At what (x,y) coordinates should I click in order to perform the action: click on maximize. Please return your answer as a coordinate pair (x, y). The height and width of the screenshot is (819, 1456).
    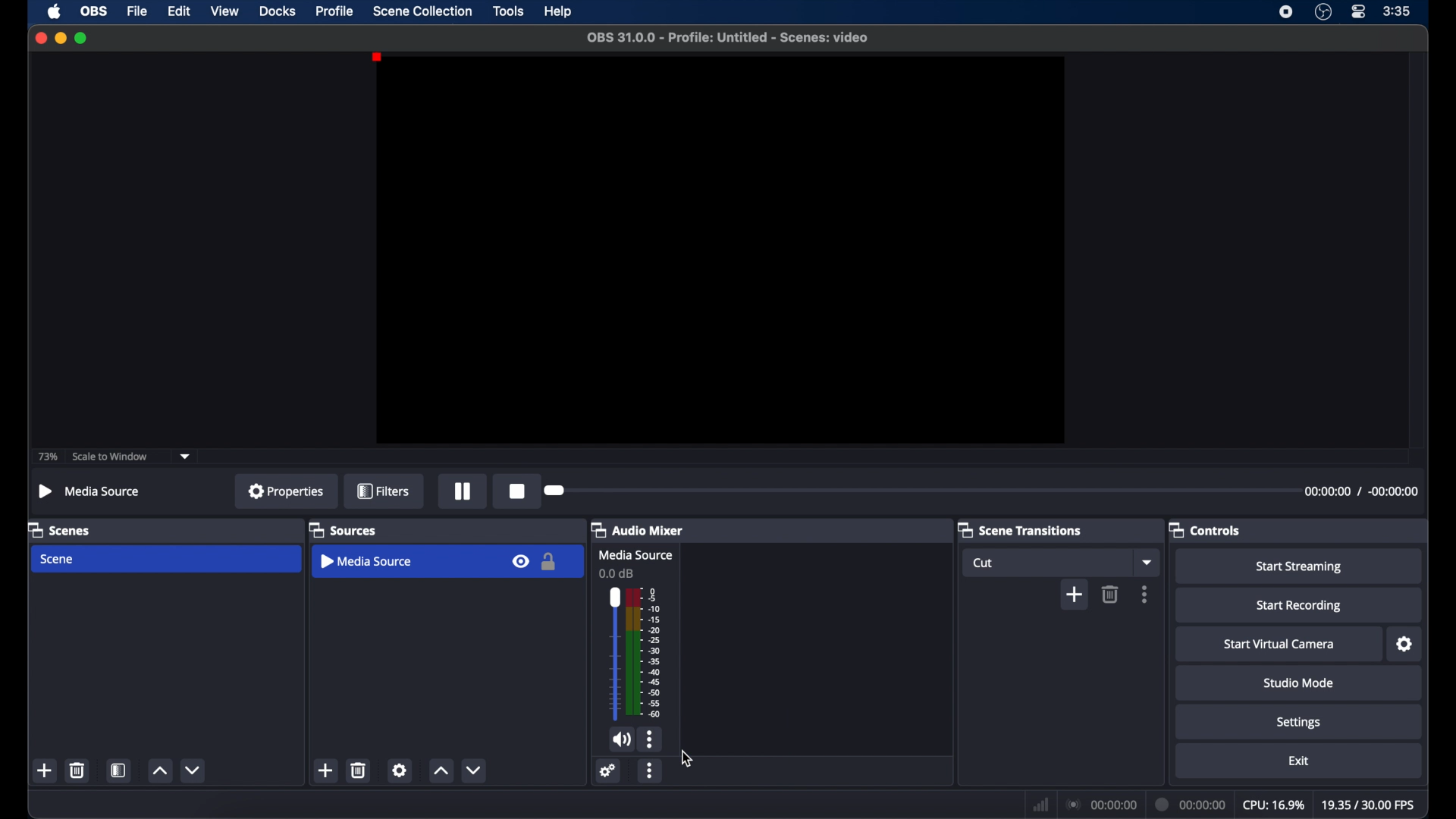
    Looking at the image, I should click on (82, 39).